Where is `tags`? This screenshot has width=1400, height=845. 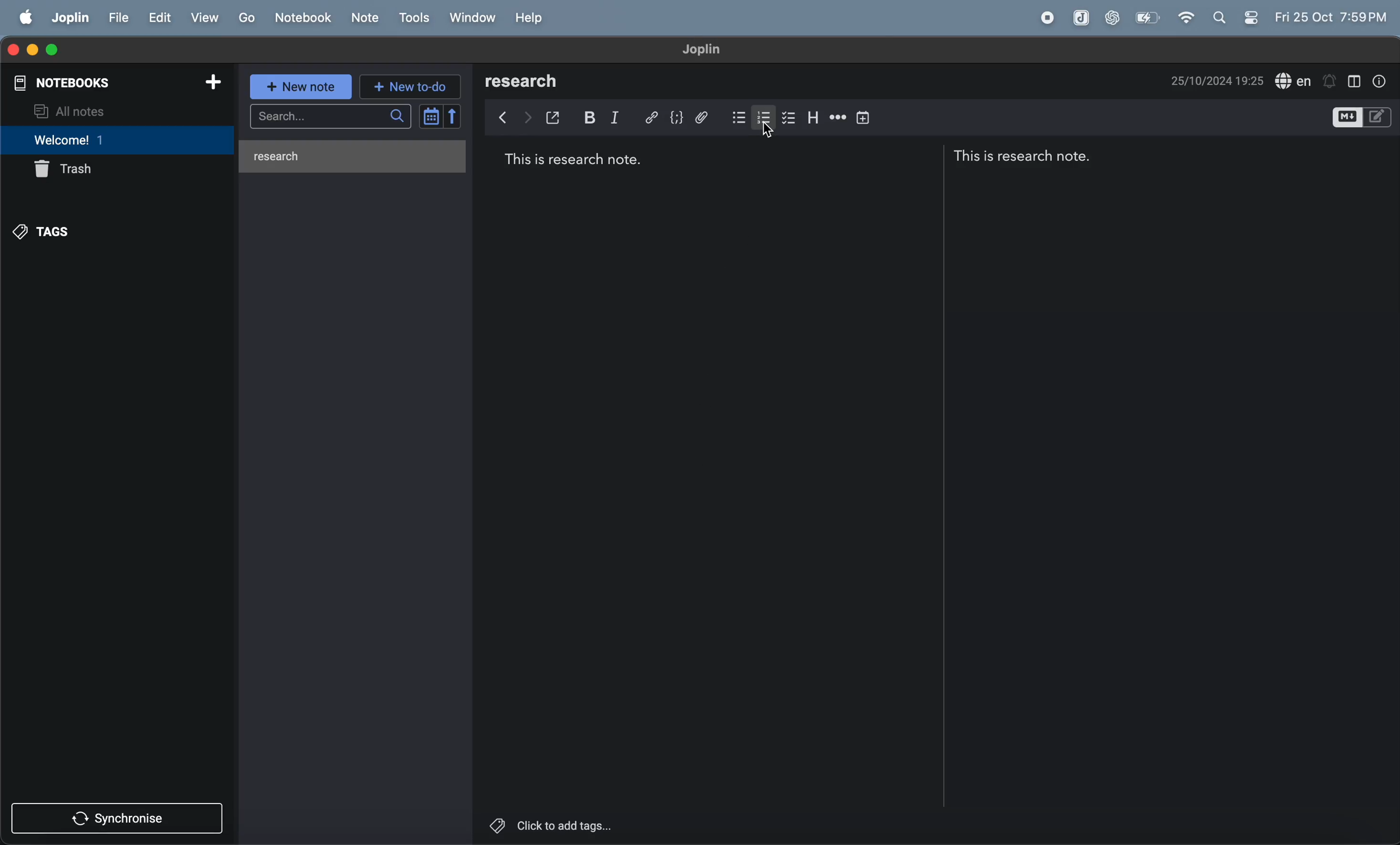
tags is located at coordinates (43, 230).